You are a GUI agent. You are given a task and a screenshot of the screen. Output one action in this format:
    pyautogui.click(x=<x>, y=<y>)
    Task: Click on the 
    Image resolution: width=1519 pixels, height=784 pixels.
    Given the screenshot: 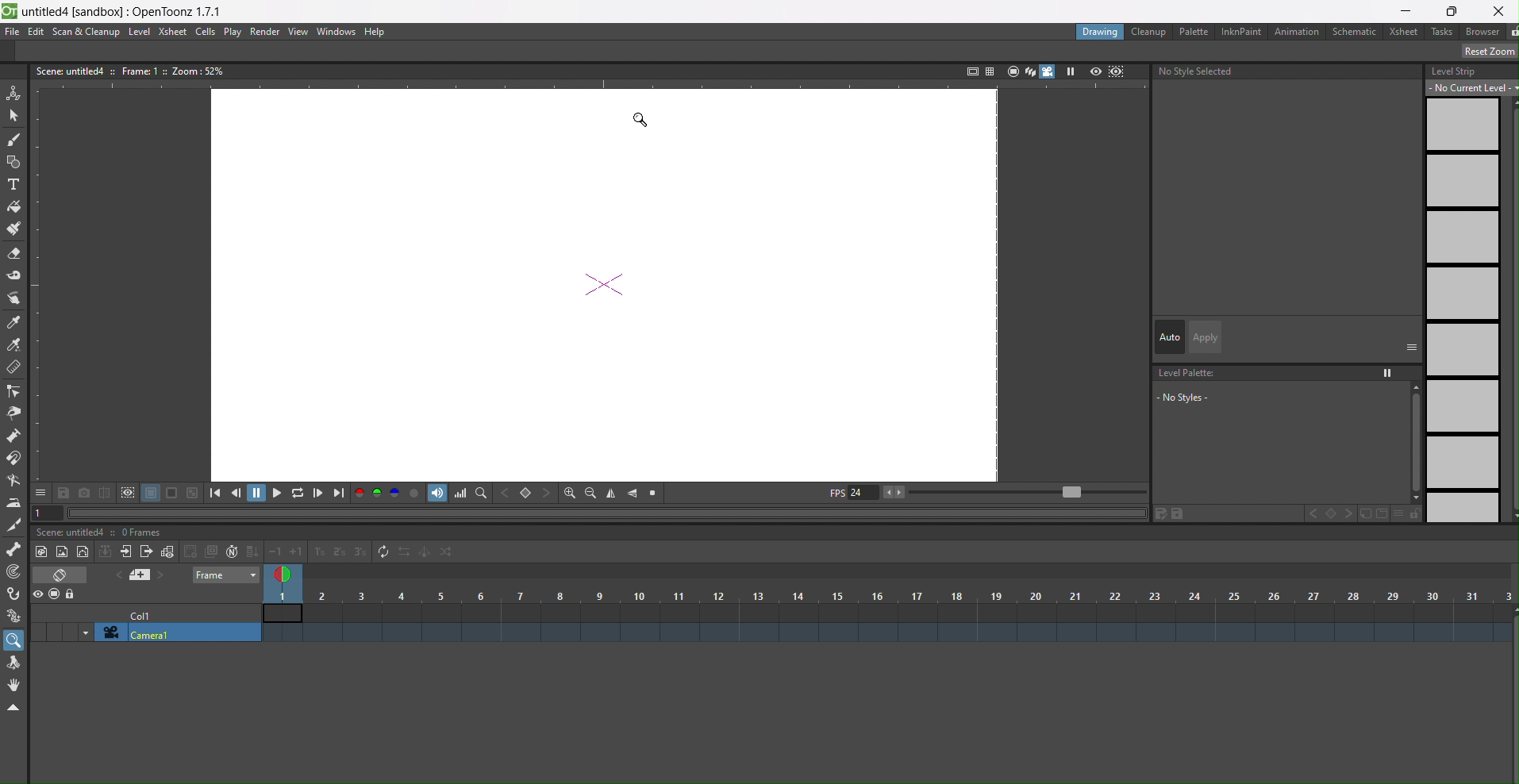 What is the action you would take?
    pyautogui.click(x=46, y=594)
    